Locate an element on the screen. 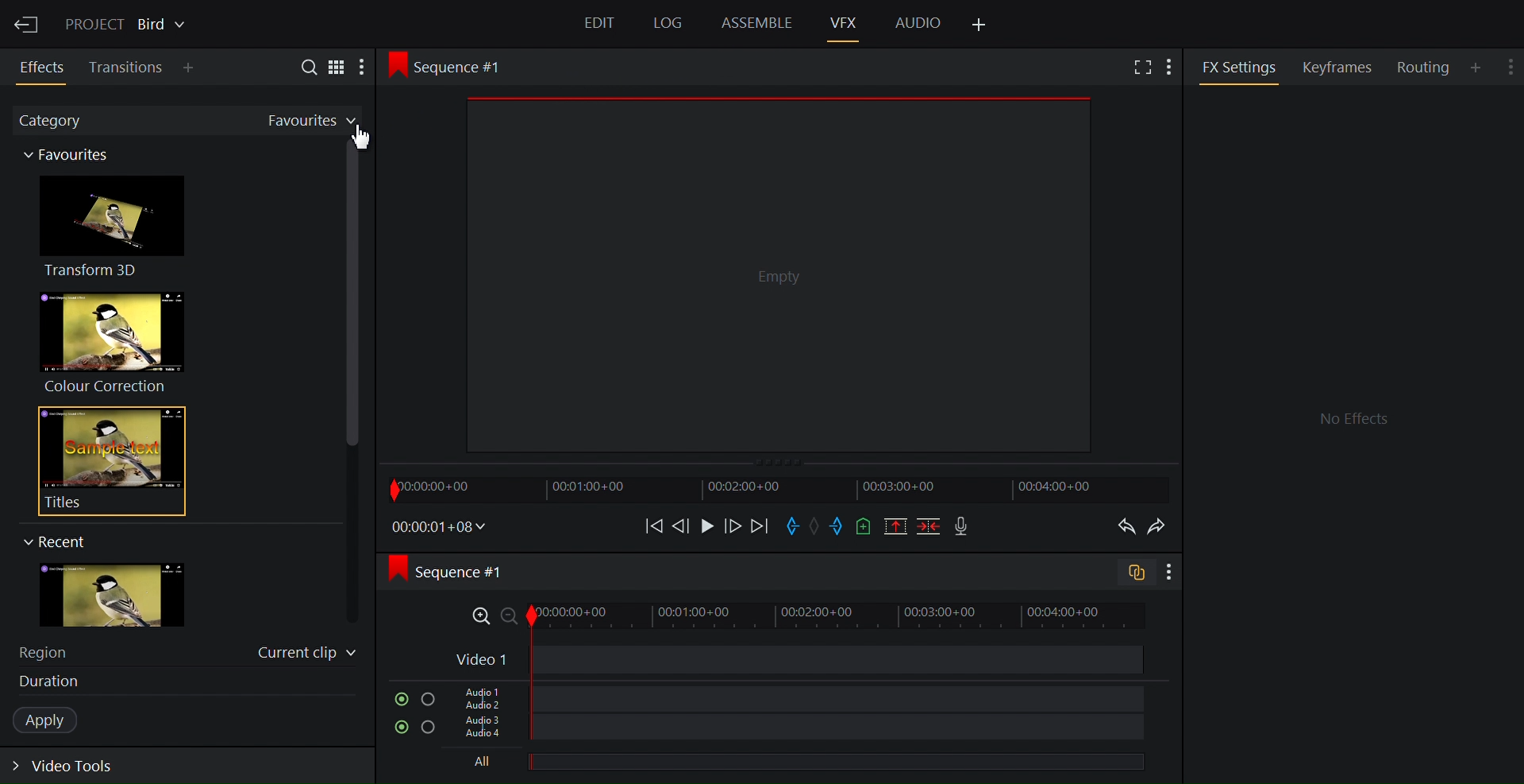 This screenshot has width=1524, height=784. Exit Current Project is located at coordinates (28, 22).